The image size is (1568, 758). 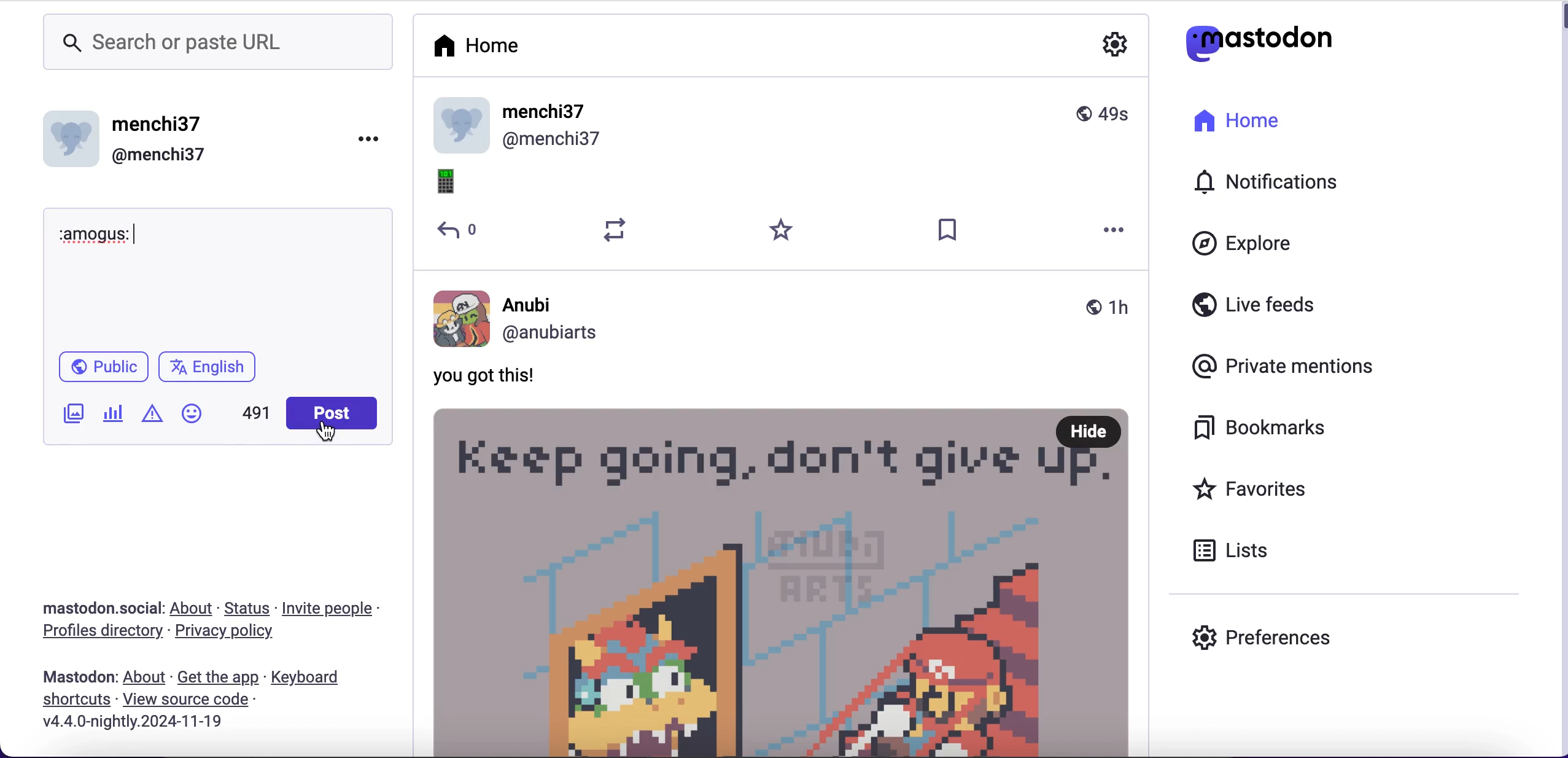 What do you see at coordinates (616, 230) in the screenshot?
I see `retweet` at bounding box center [616, 230].